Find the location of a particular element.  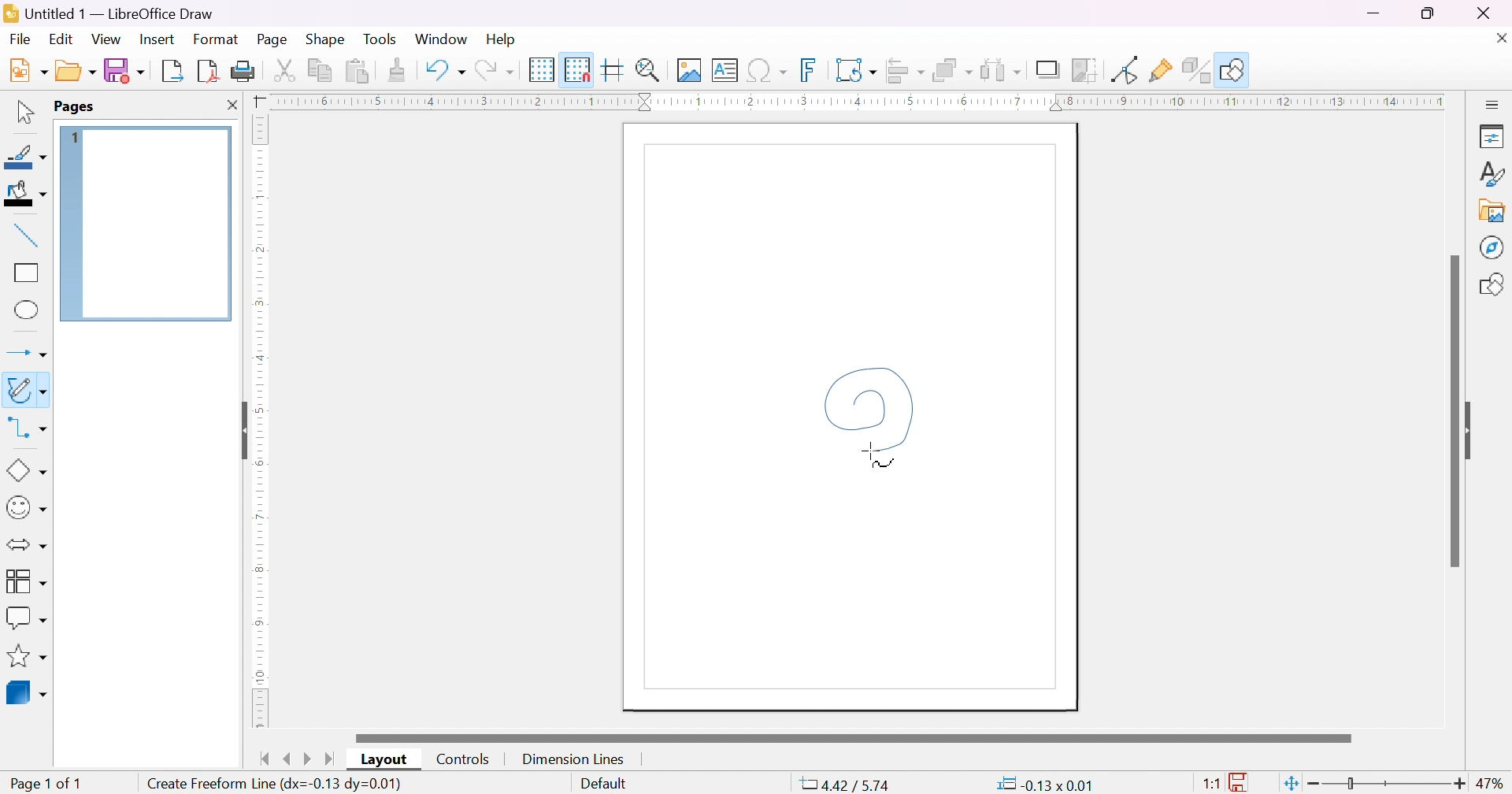

line color is located at coordinates (26, 157).